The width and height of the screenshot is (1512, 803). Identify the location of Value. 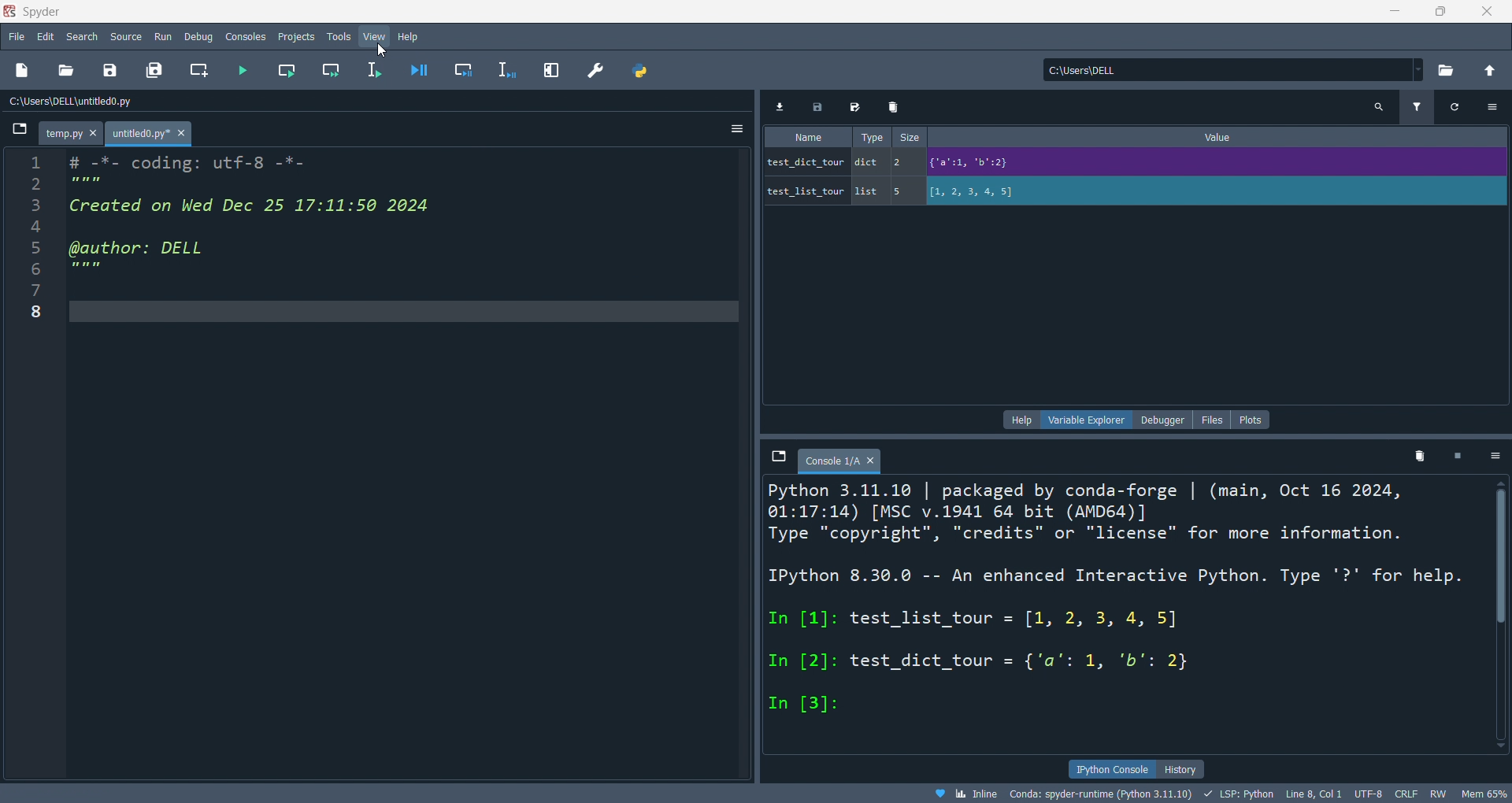
(1220, 166).